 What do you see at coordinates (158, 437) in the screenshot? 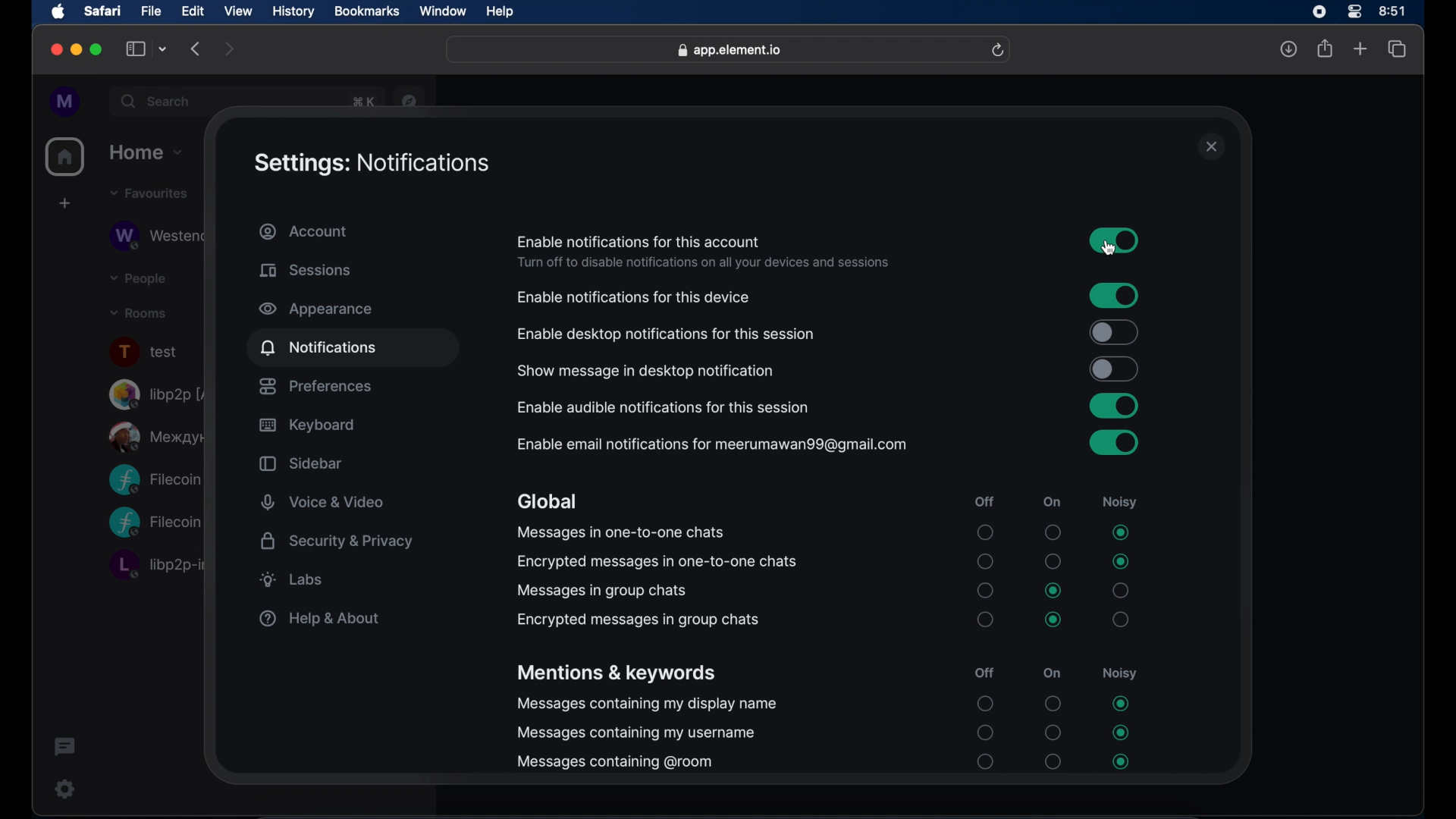
I see `public room` at bounding box center [158, 437].